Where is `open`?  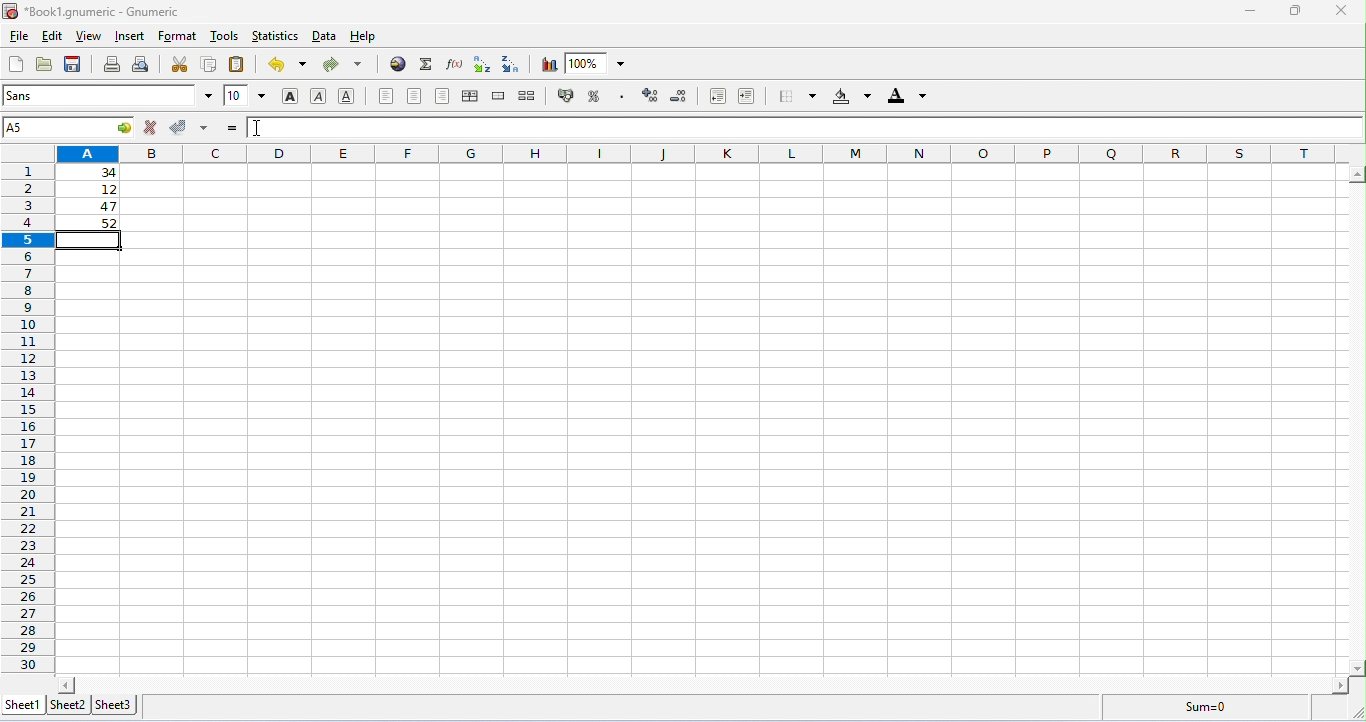
open is located at coordinates (44, 64).